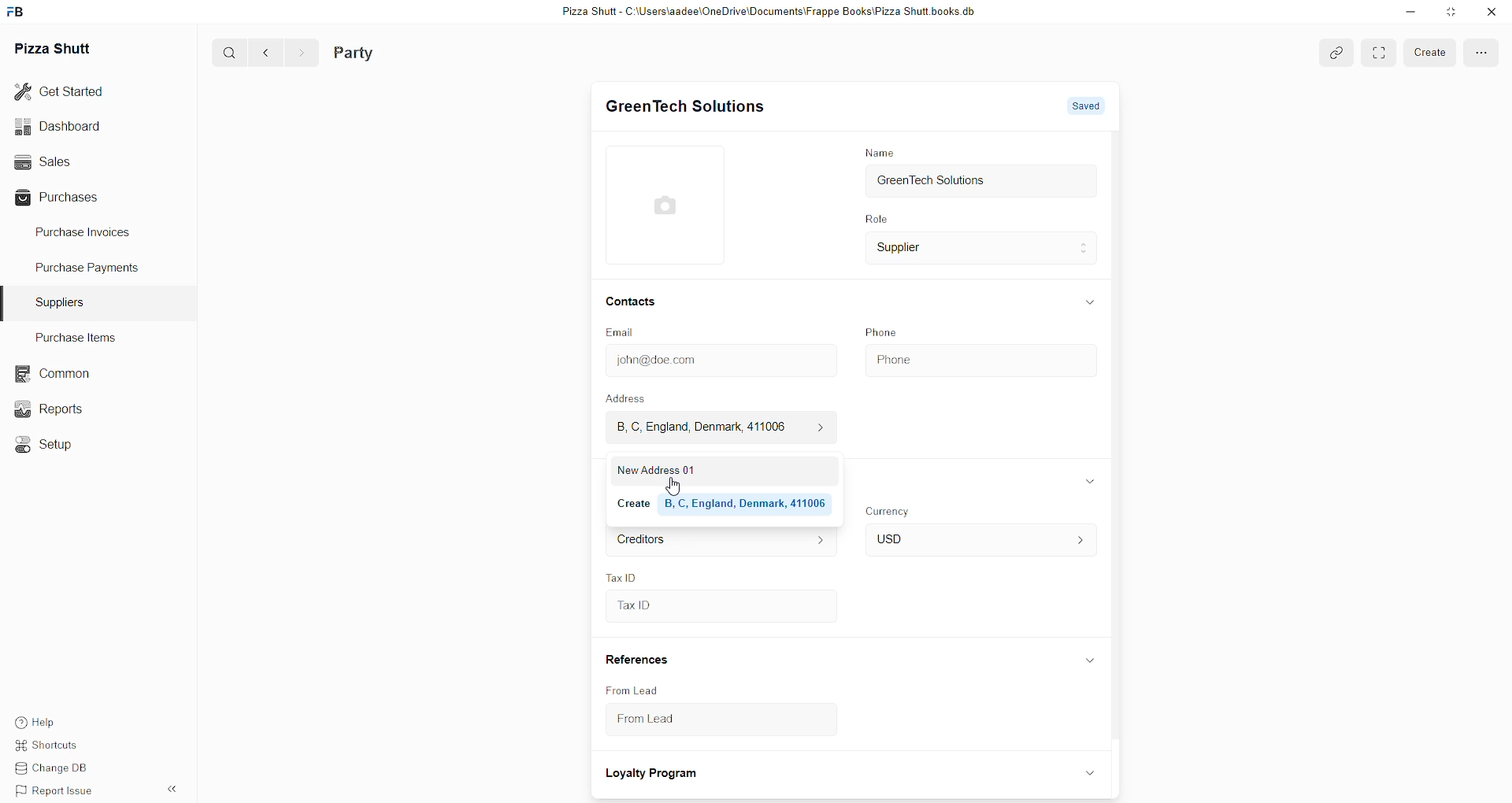 This screenshot has width=1512, height=803. I want to click on ‘Common, so click(51, 372).